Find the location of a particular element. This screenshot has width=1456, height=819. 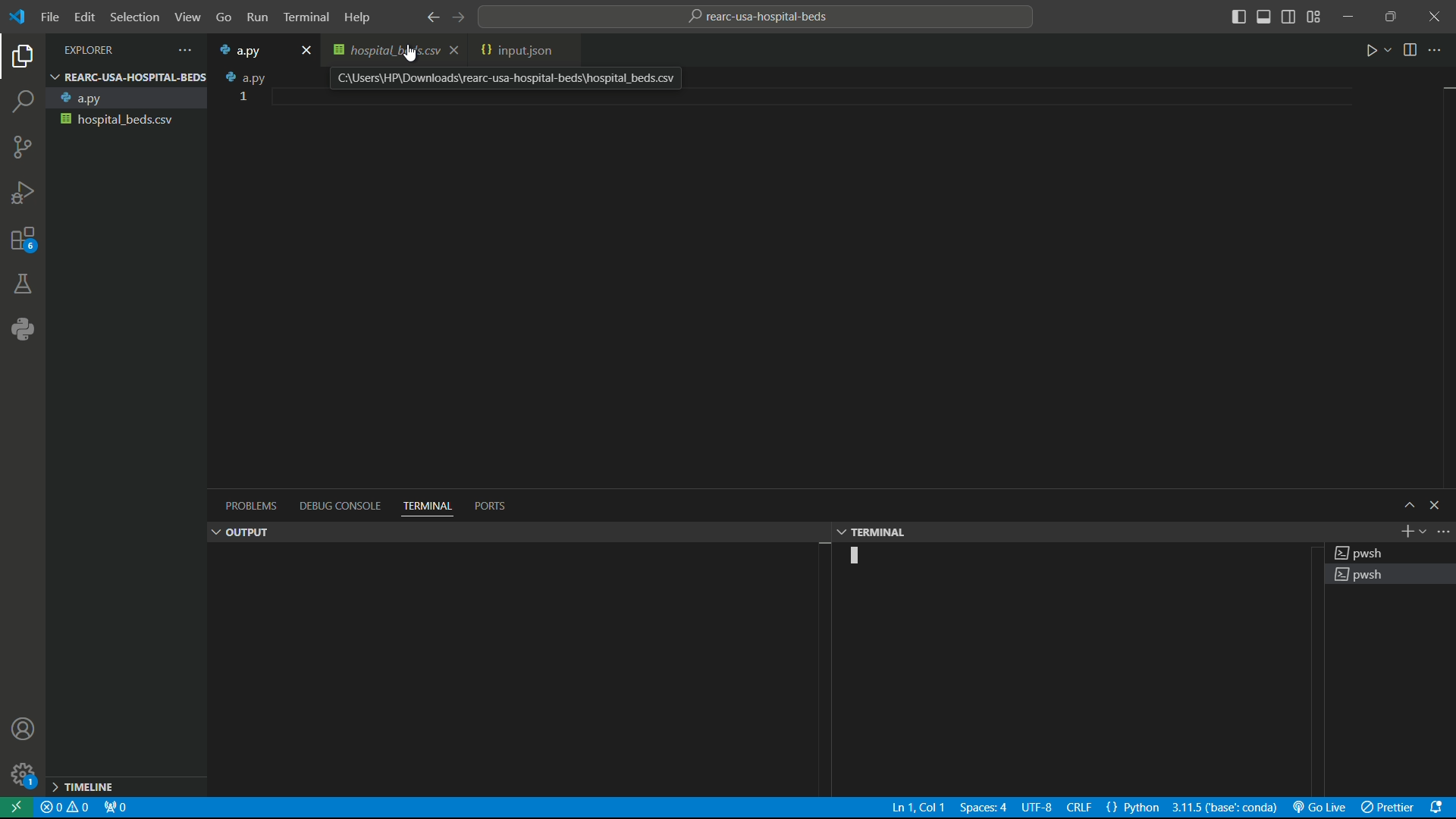

debug console tab is located at coordinates (336, 507).